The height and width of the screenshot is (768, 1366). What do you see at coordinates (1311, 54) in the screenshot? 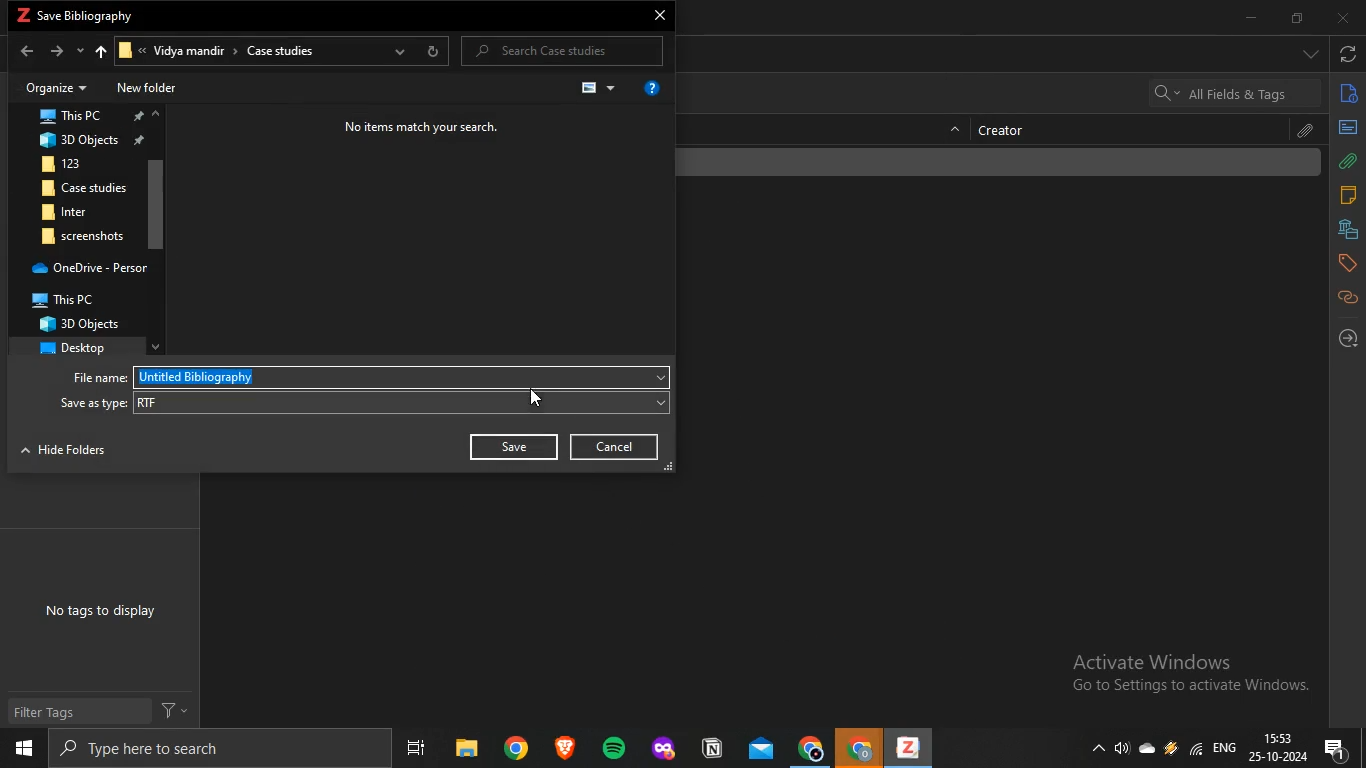
I see `drop down` at bounding box center [1311, 54].